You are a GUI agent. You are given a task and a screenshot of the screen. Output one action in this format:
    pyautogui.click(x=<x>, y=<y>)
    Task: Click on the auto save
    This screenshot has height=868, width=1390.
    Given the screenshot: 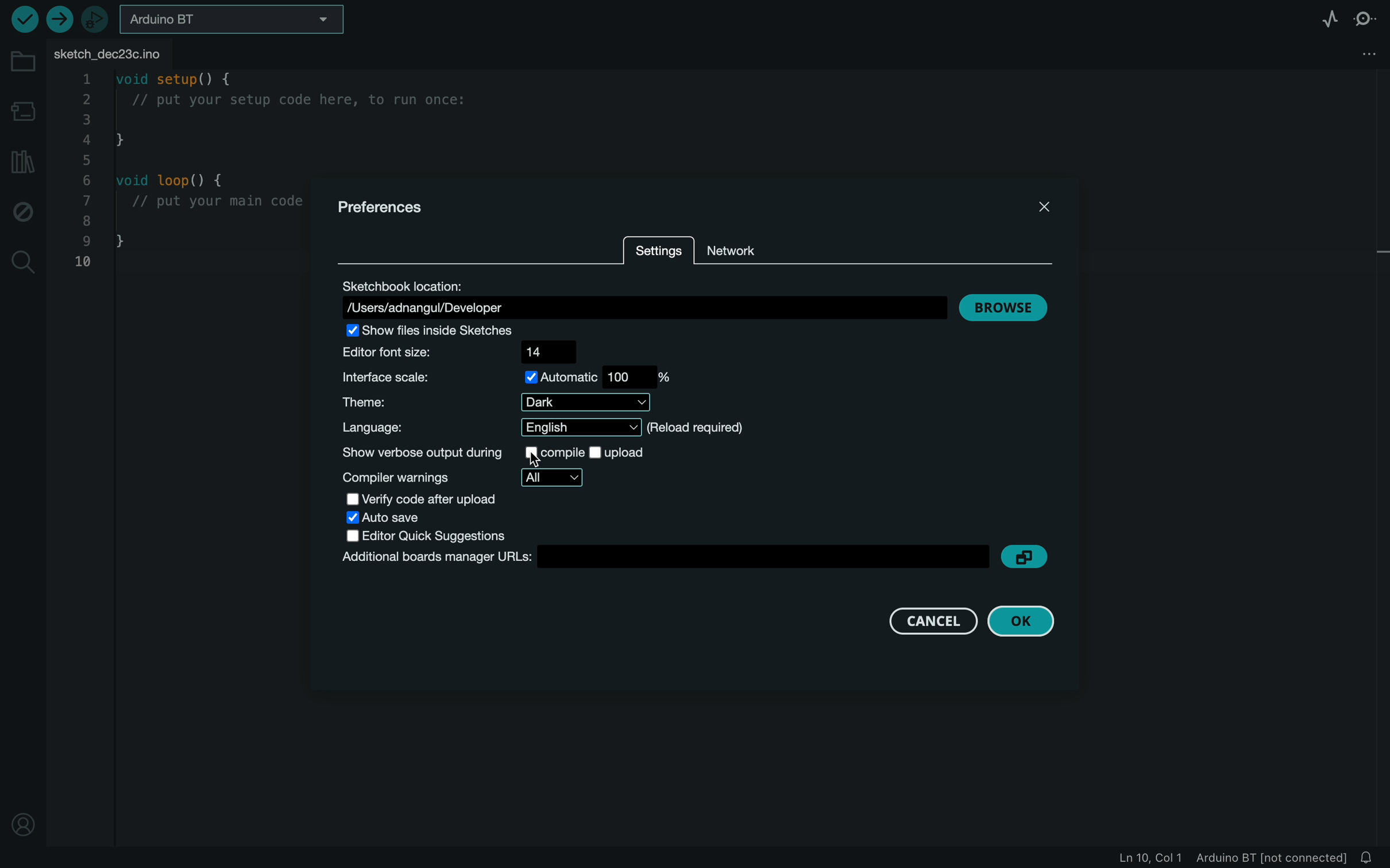 What is the action you would take?
    pyautogui.click(x=386, y=517)
    